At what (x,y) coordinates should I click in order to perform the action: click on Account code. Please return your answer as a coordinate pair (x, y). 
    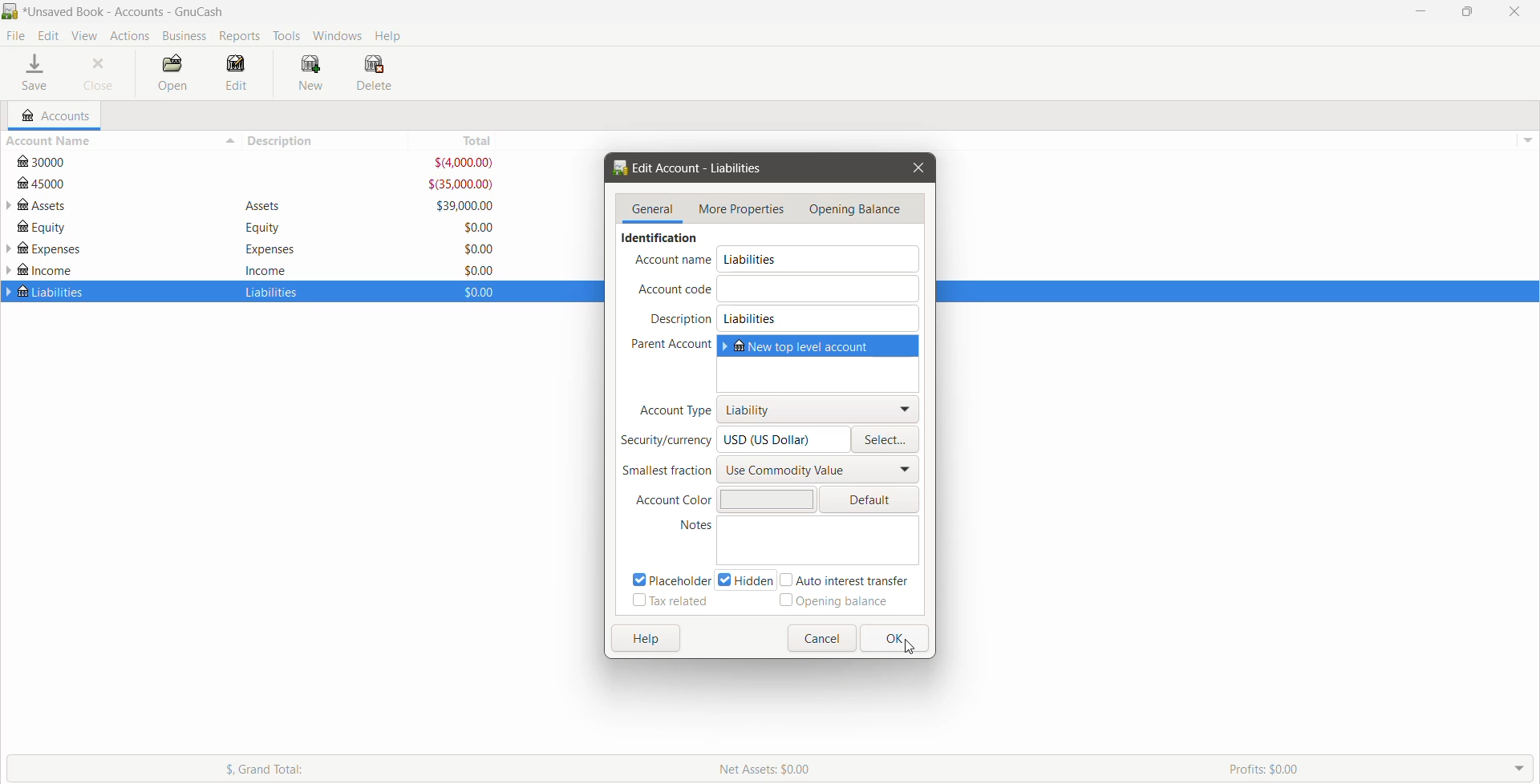
    Looking at the image, I should click on (672, 289).